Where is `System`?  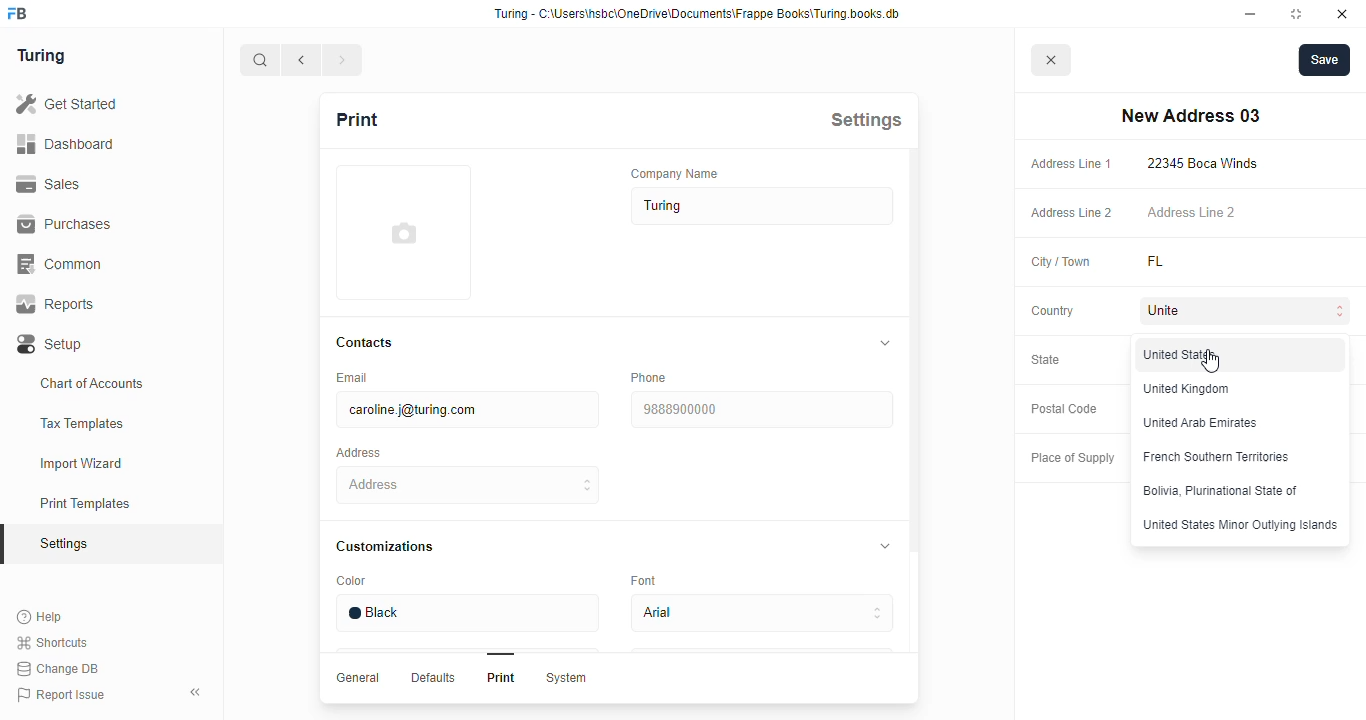
System is located at coordinates (565, 678).